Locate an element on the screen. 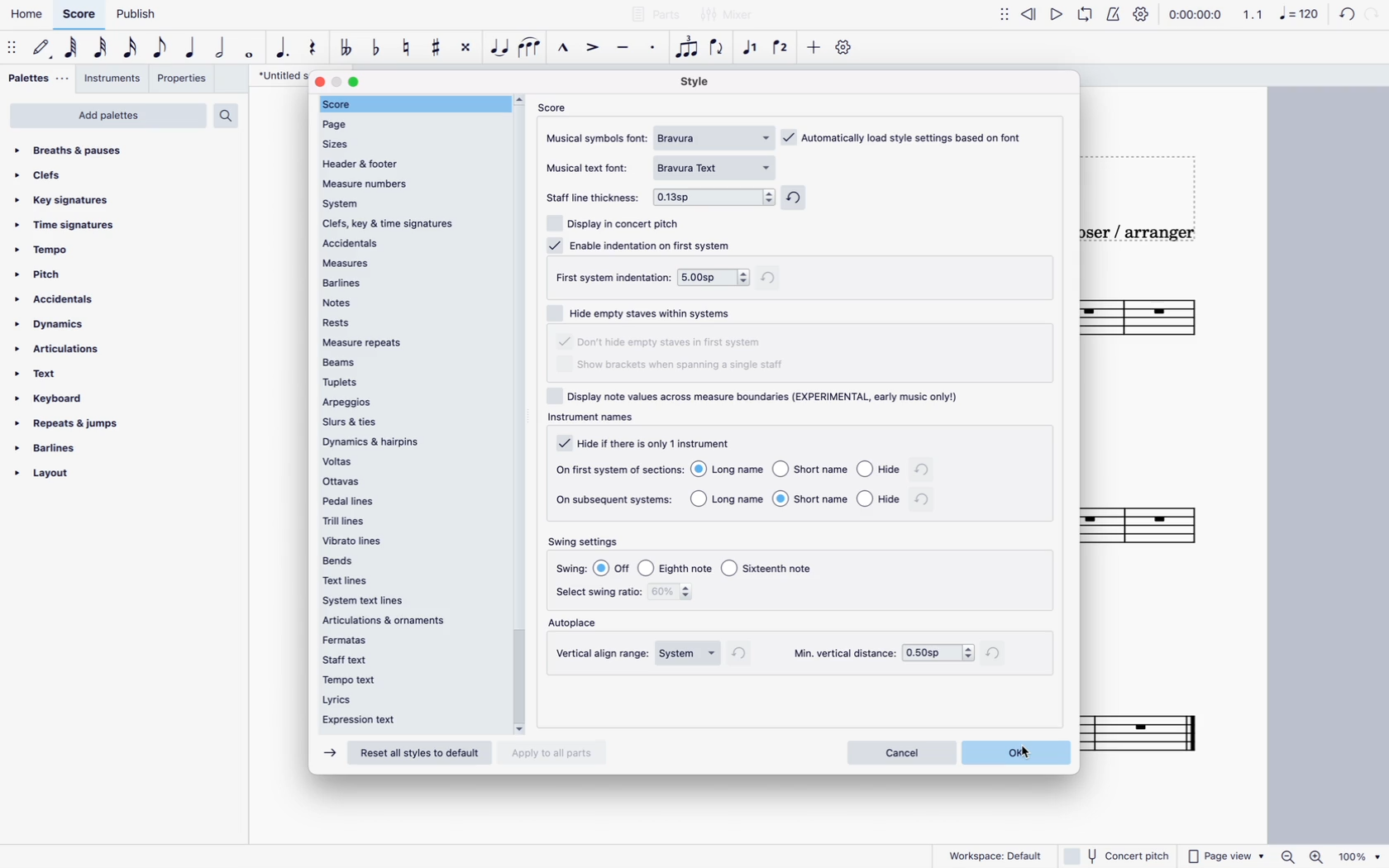 The image size is (1389, 868). min vertical distance is located at coordinates (938, 654).